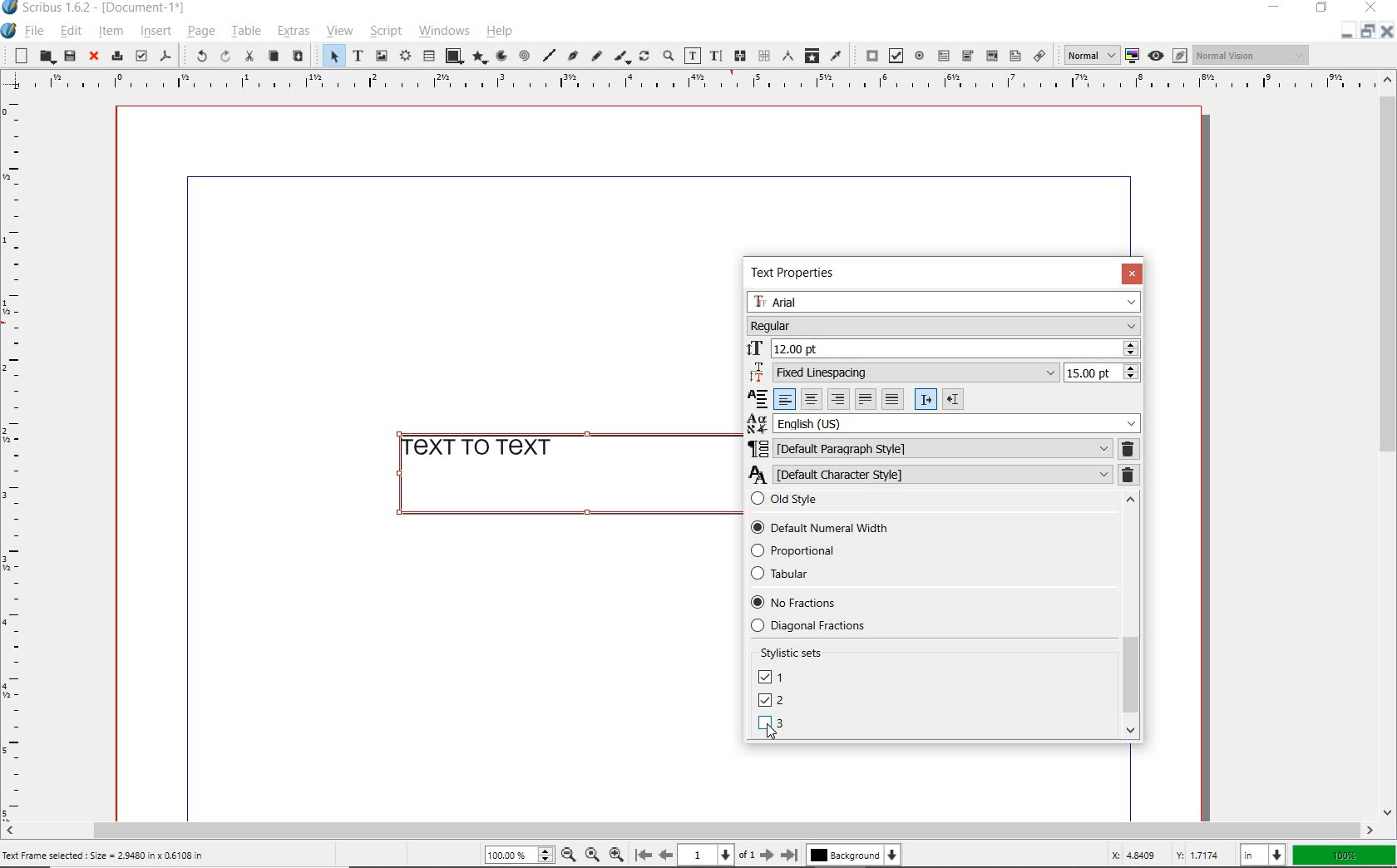 The image size is (1397, 868). What do you see at coordinates (477, 58) in the screenshot?
I see `polygon` at bounding box center [477, 58].